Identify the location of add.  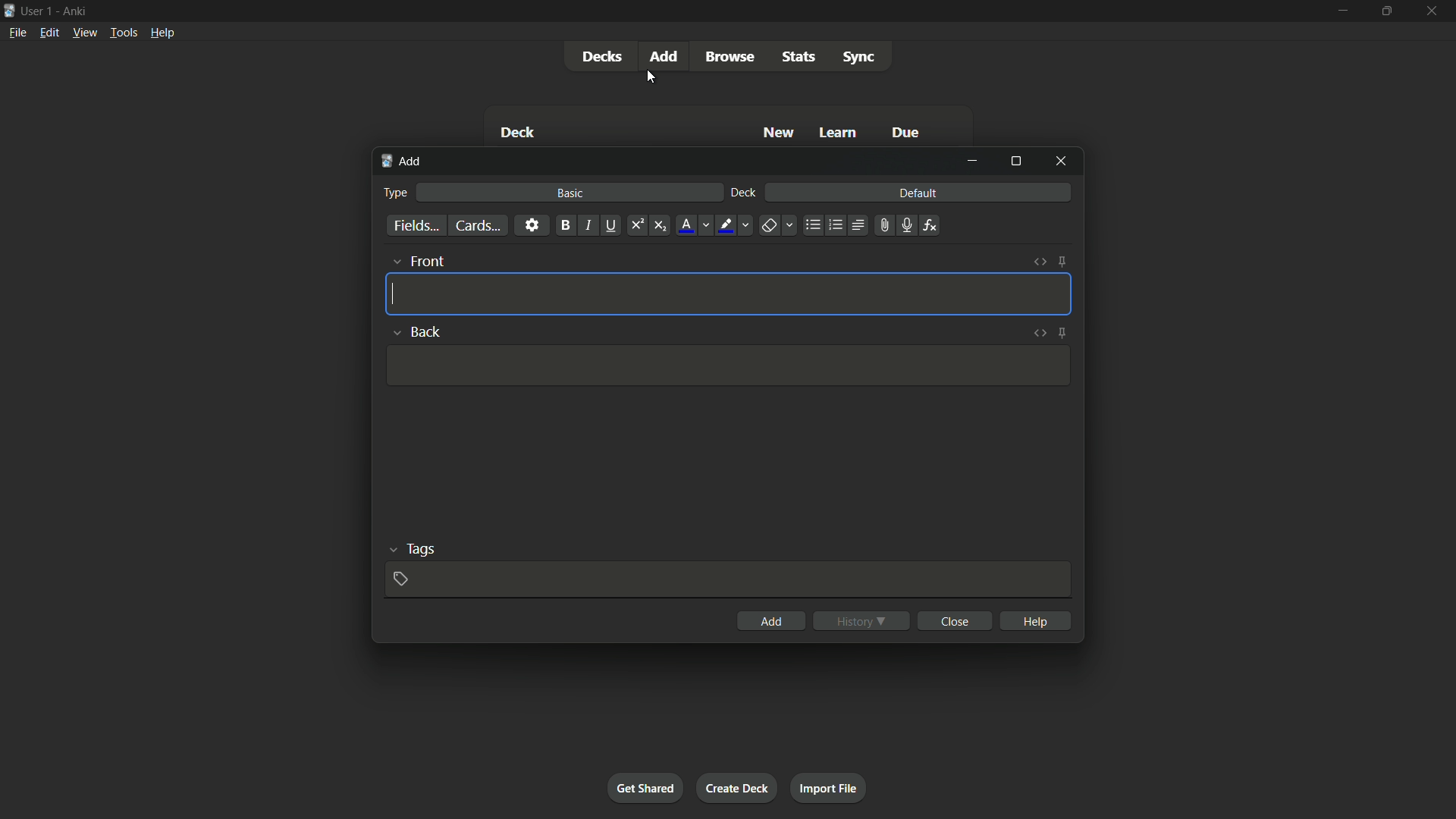
(667, 55).